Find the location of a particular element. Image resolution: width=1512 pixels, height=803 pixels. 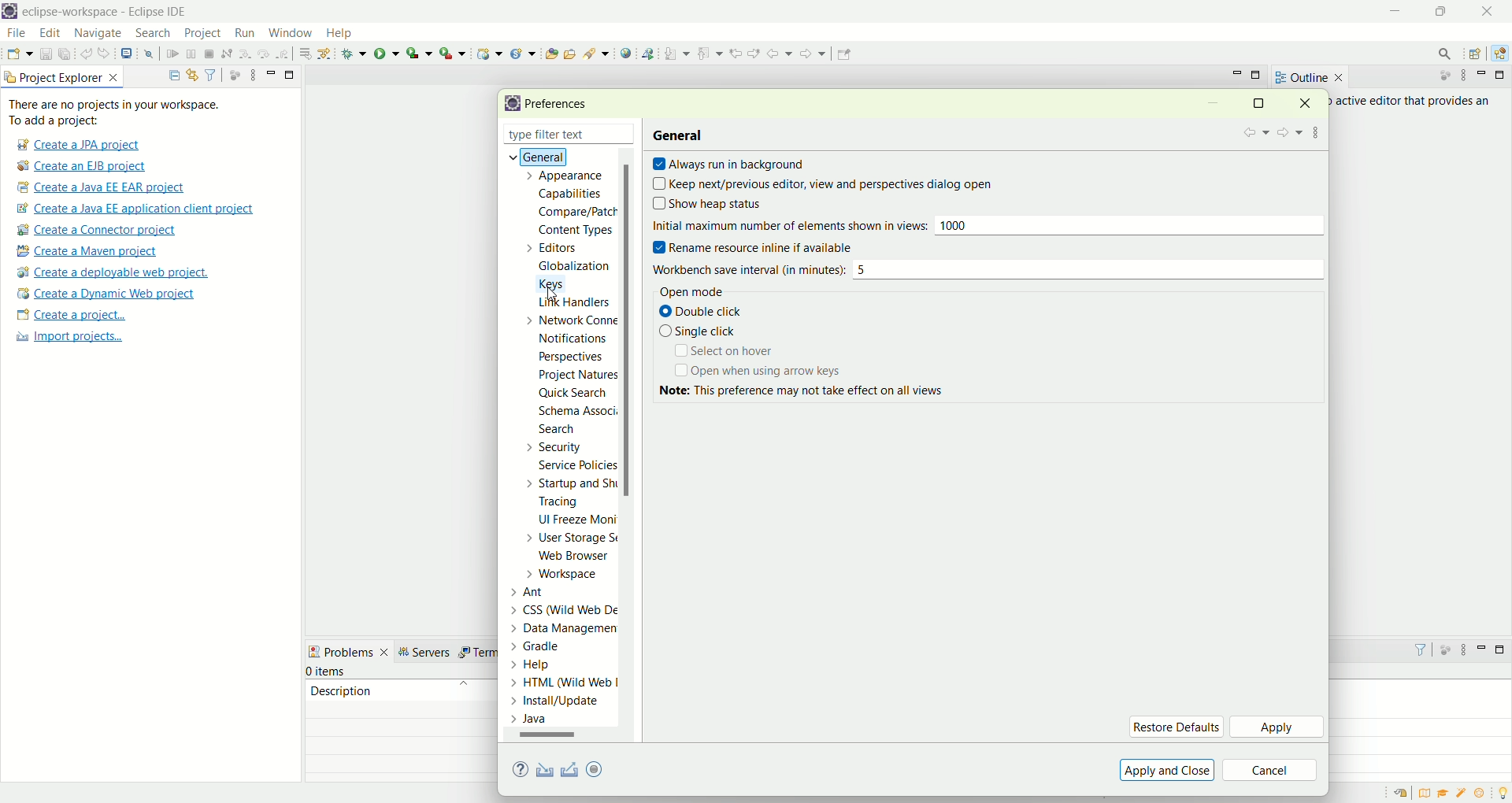

samples is located at coordinates (1463, 793).